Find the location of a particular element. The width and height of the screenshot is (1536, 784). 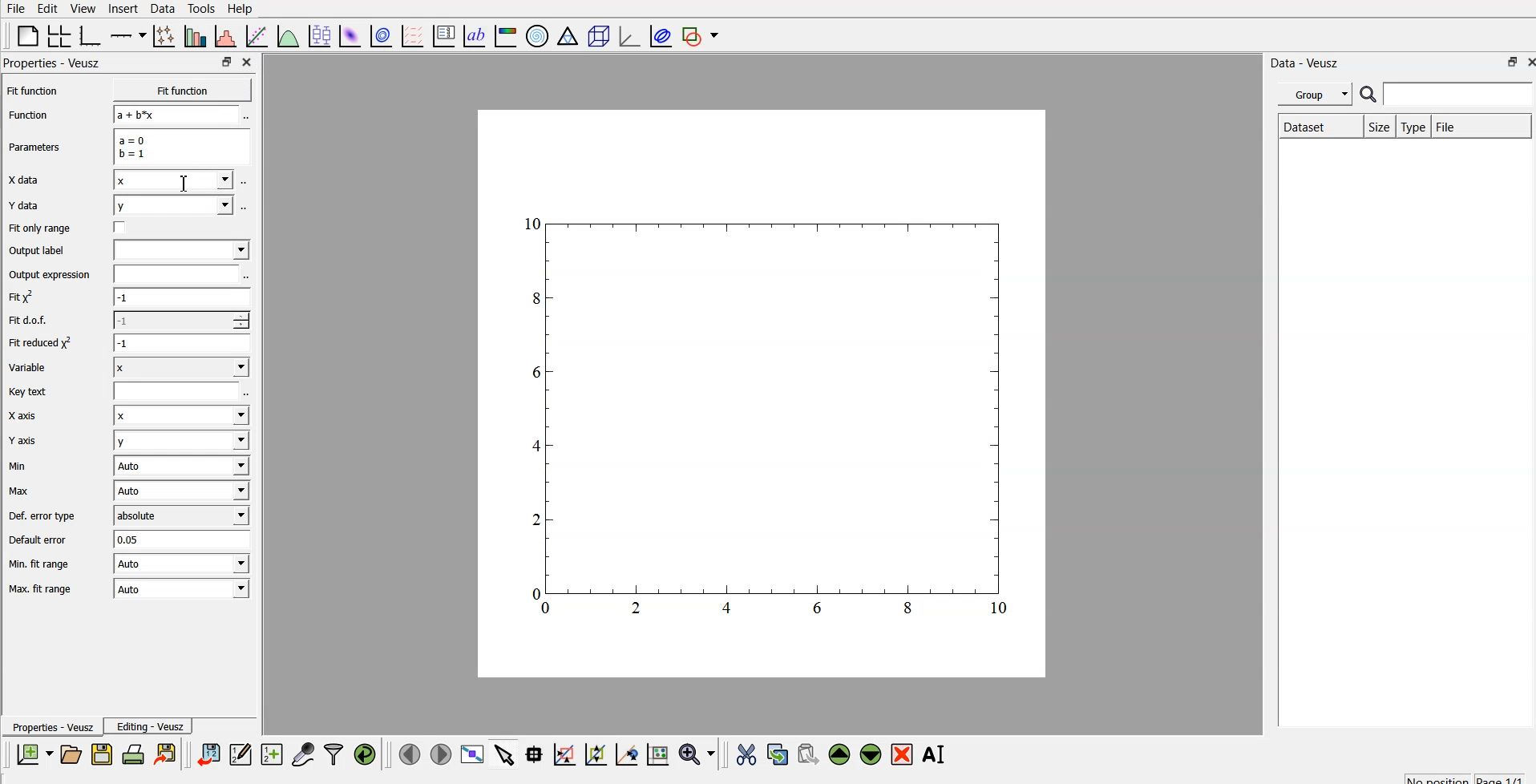

view is located at coordinates (81, 8).